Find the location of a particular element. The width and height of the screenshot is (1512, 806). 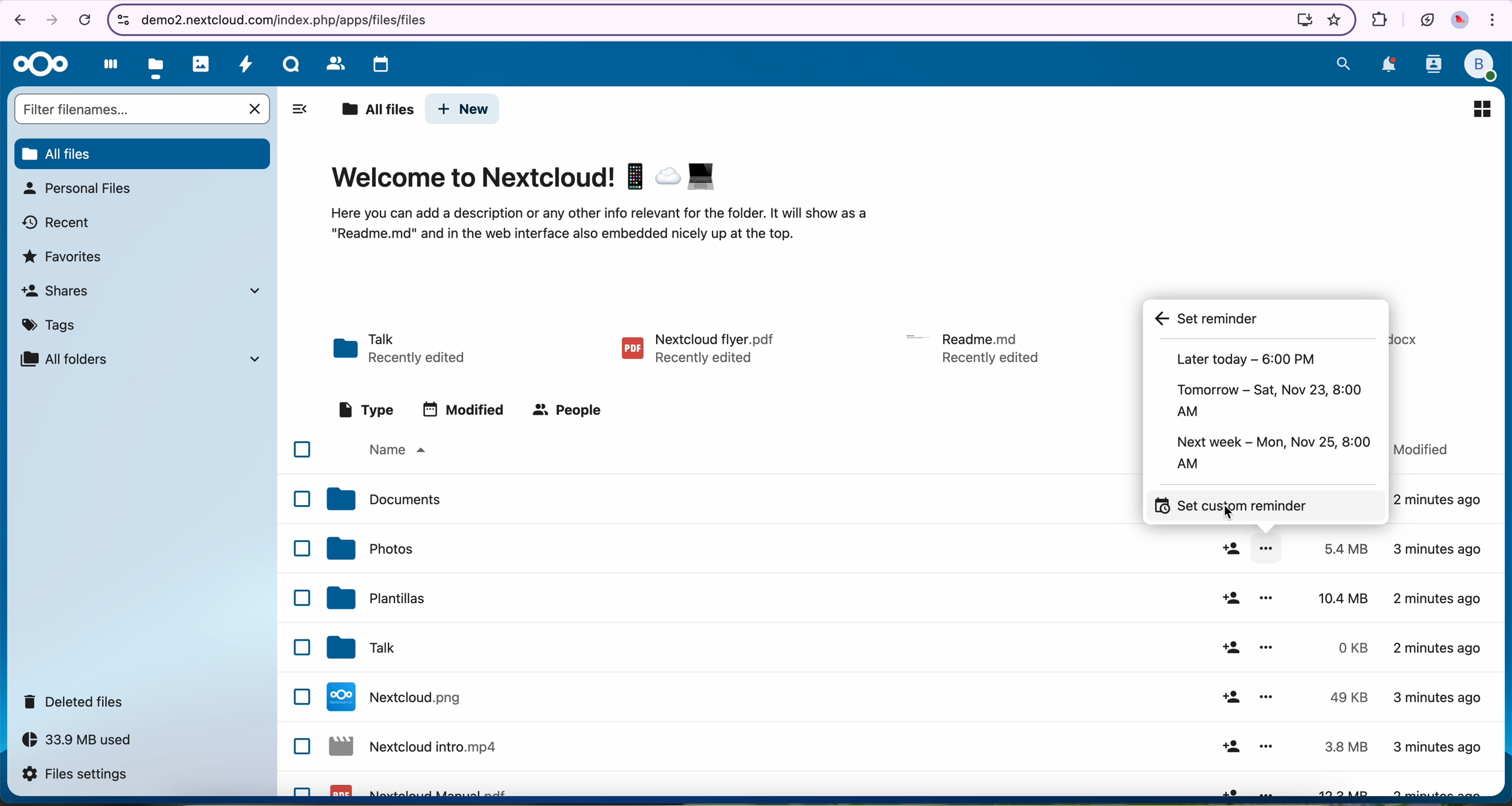

new button is located at coordinates (465, 109).